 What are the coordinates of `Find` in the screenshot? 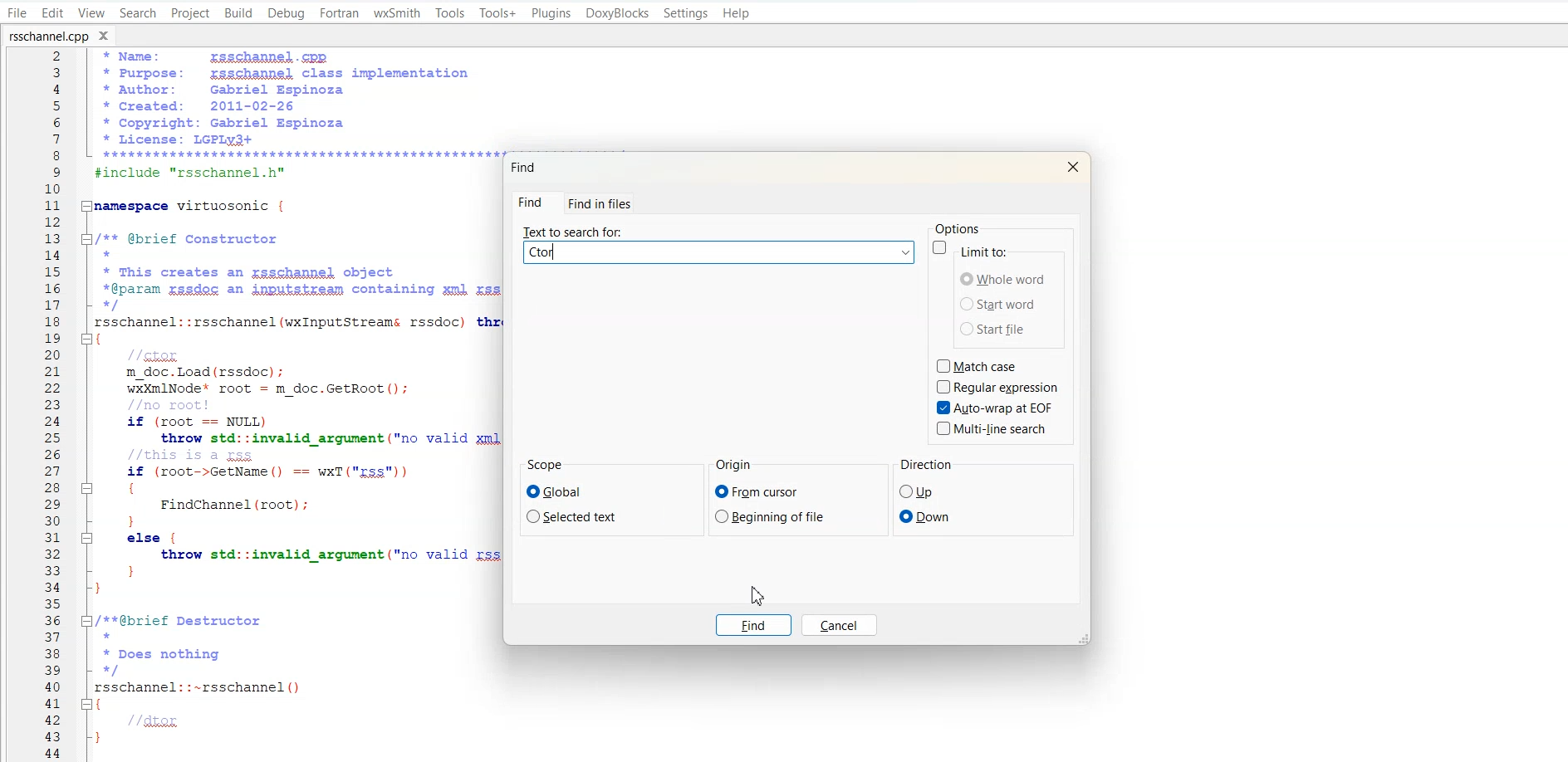 It's located at (533, 203).